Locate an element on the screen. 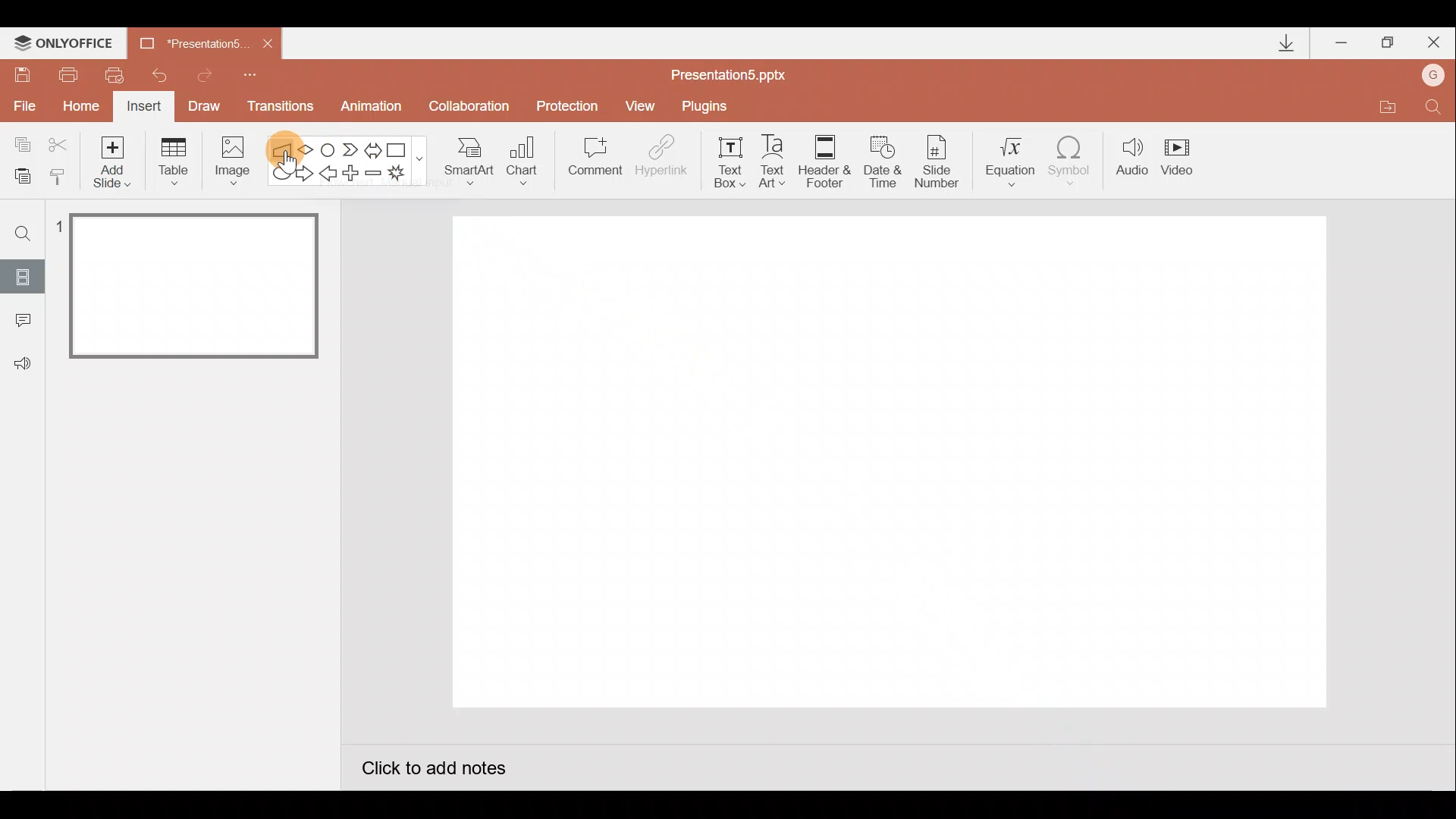  Chevron is located at coordinates (352, 150).